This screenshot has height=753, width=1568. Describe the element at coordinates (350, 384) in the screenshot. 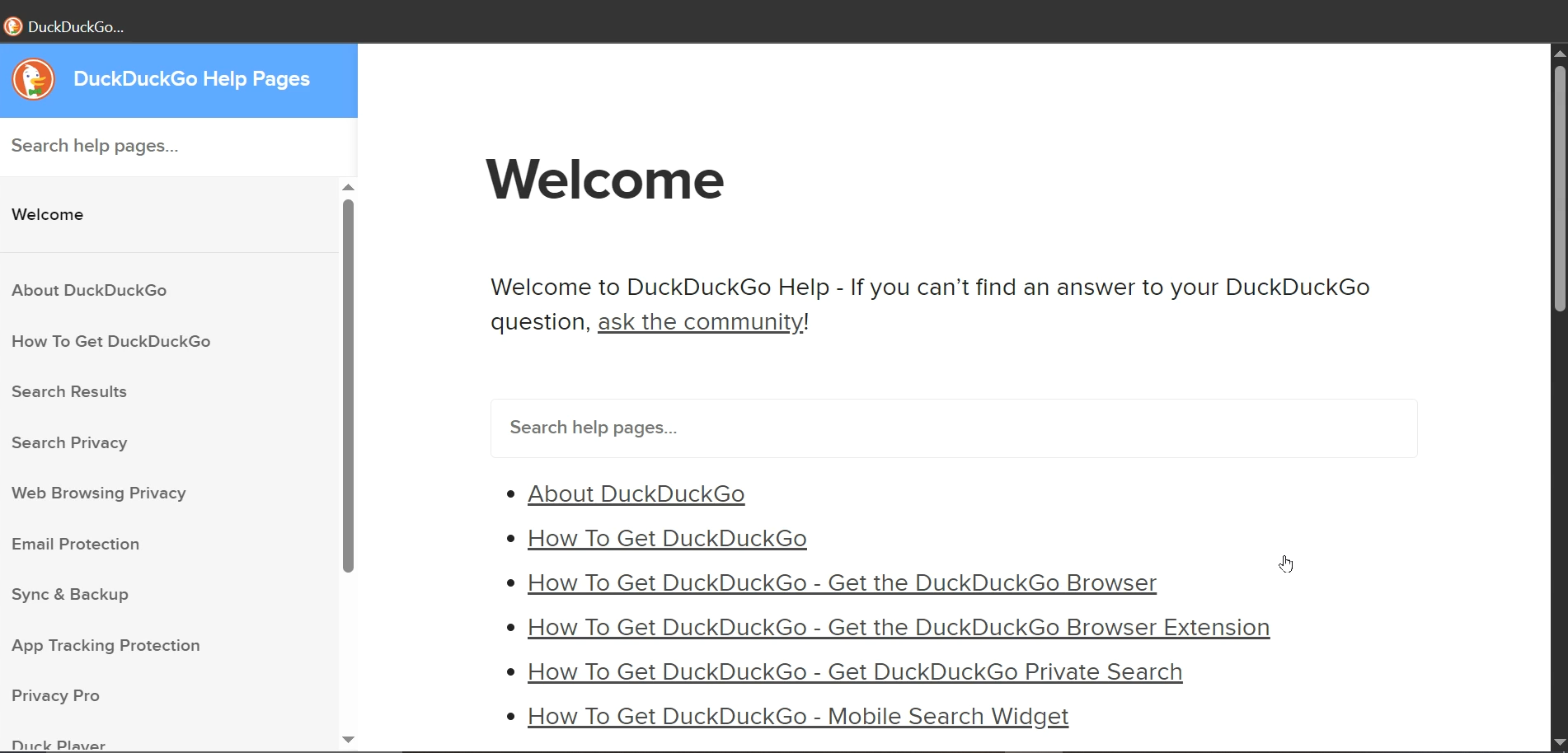

I see `scroll bar` at that location.